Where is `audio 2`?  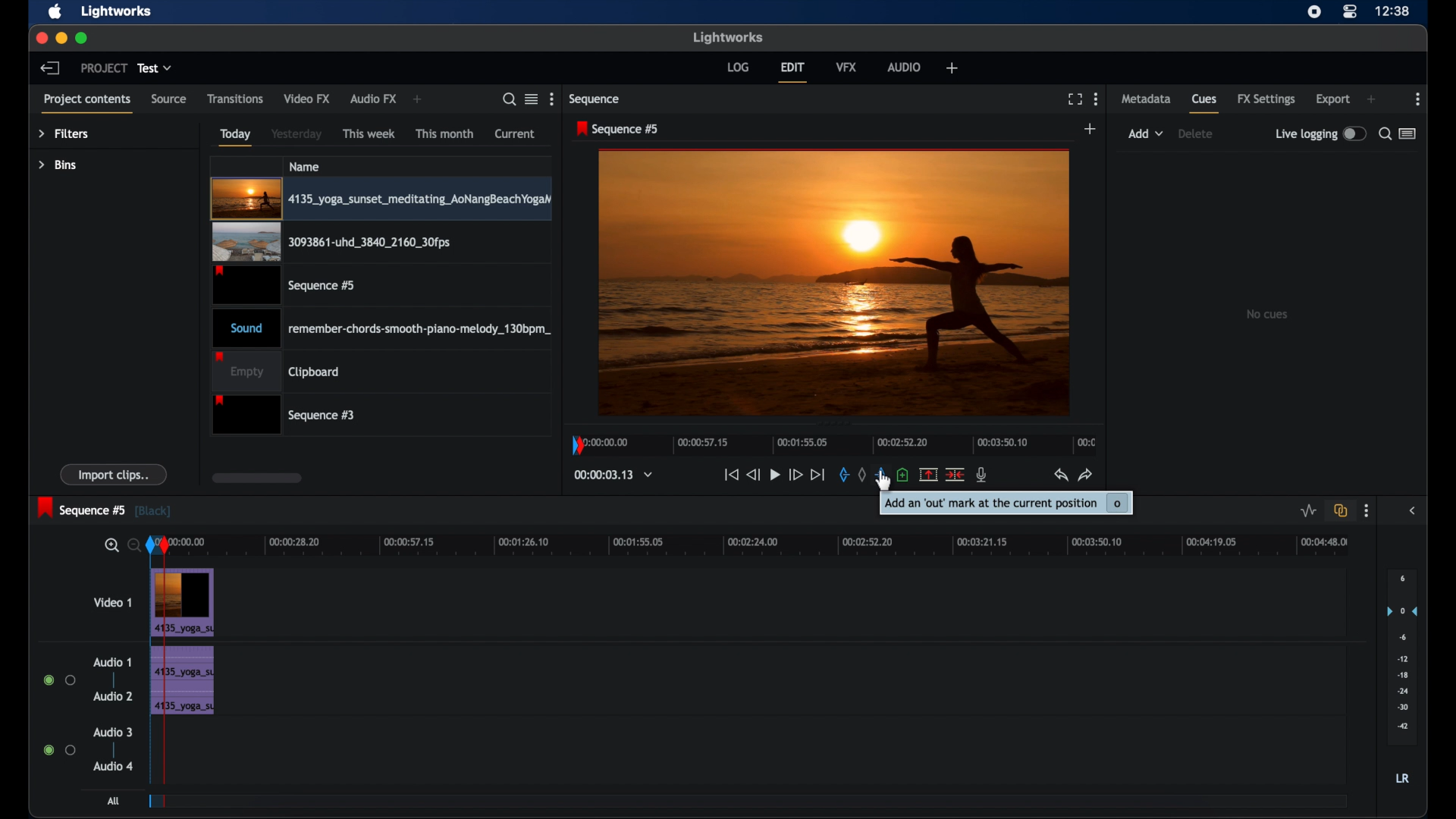
audio 2 is located at coordinates (112, 696).